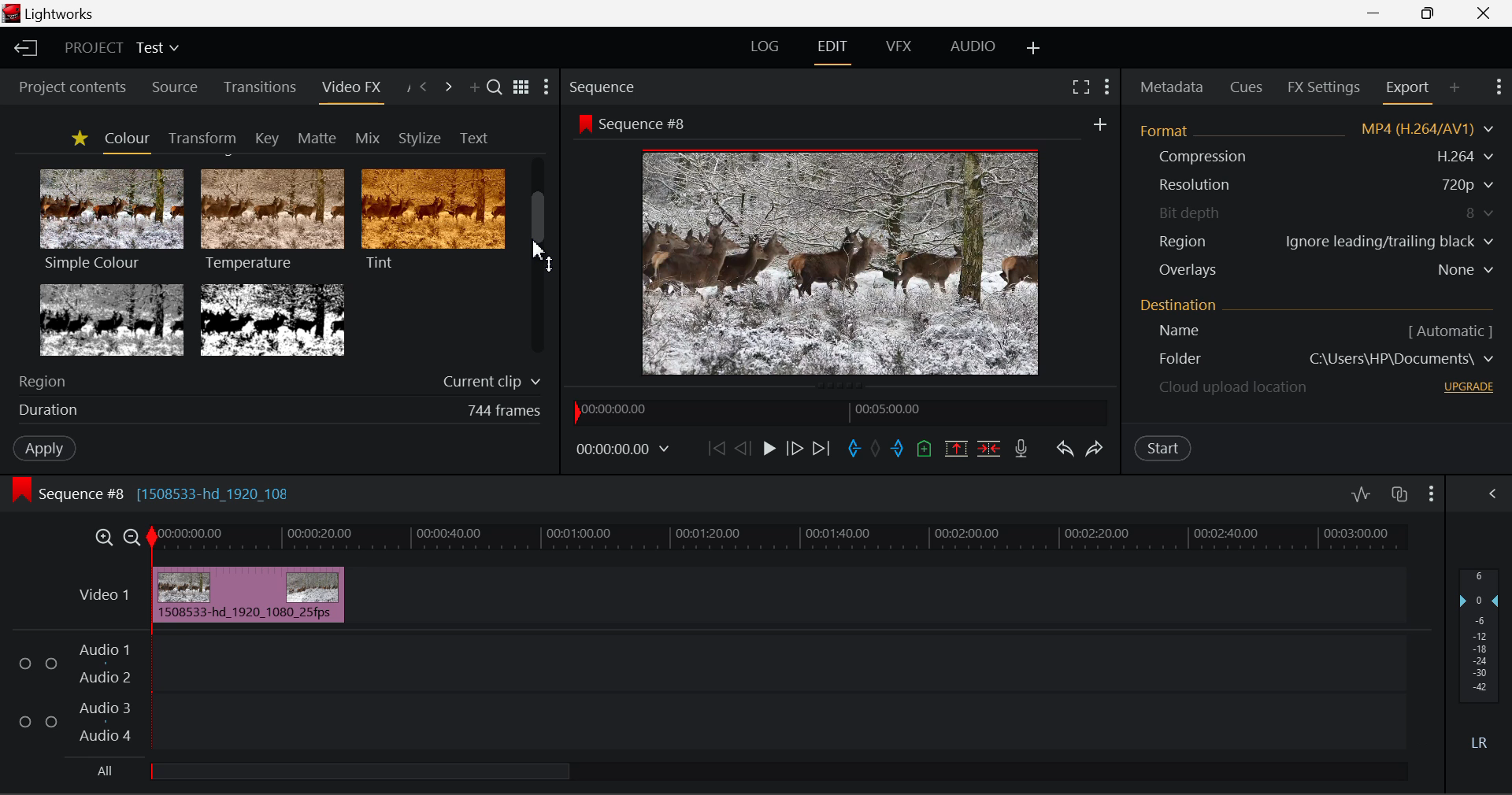 Image resolution: width=1512 pixels, height=795 pixels. I want to click on Audio 3, so click(102, 708).